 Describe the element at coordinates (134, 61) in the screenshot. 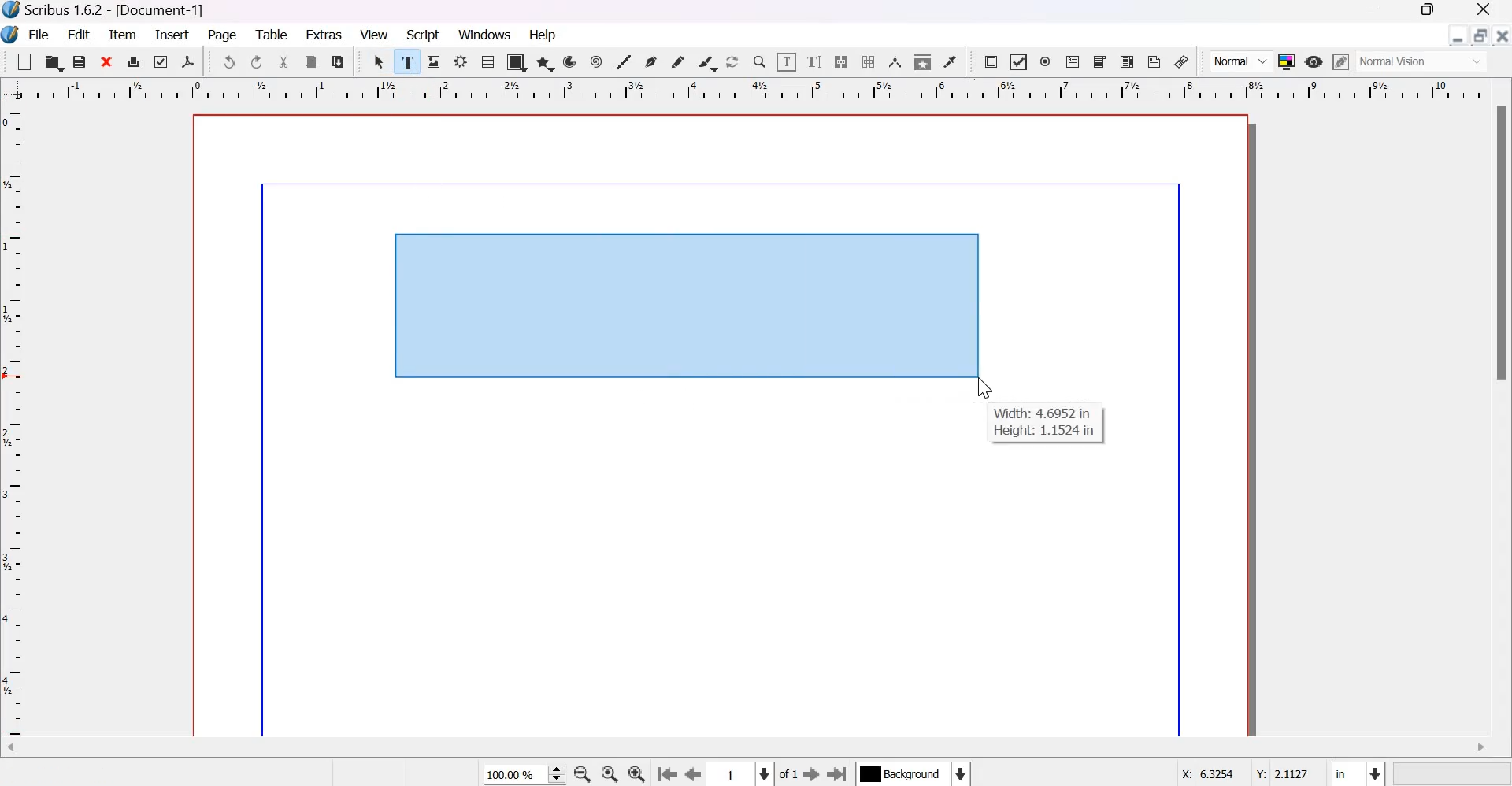

I see `print` at that location.